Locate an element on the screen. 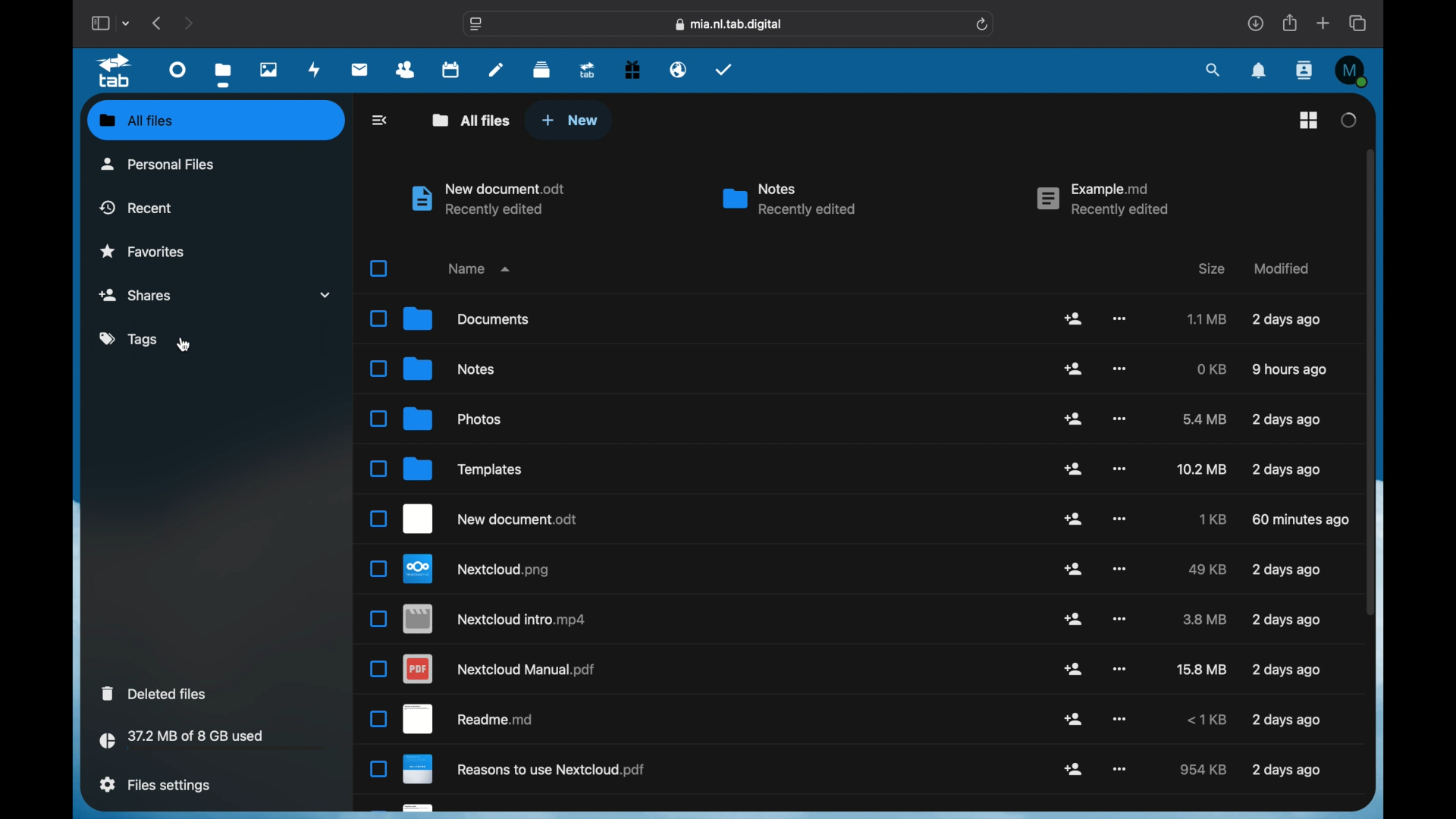 This screenshot has width=1456, height=819. modified is located at coordinates (1287, 620).